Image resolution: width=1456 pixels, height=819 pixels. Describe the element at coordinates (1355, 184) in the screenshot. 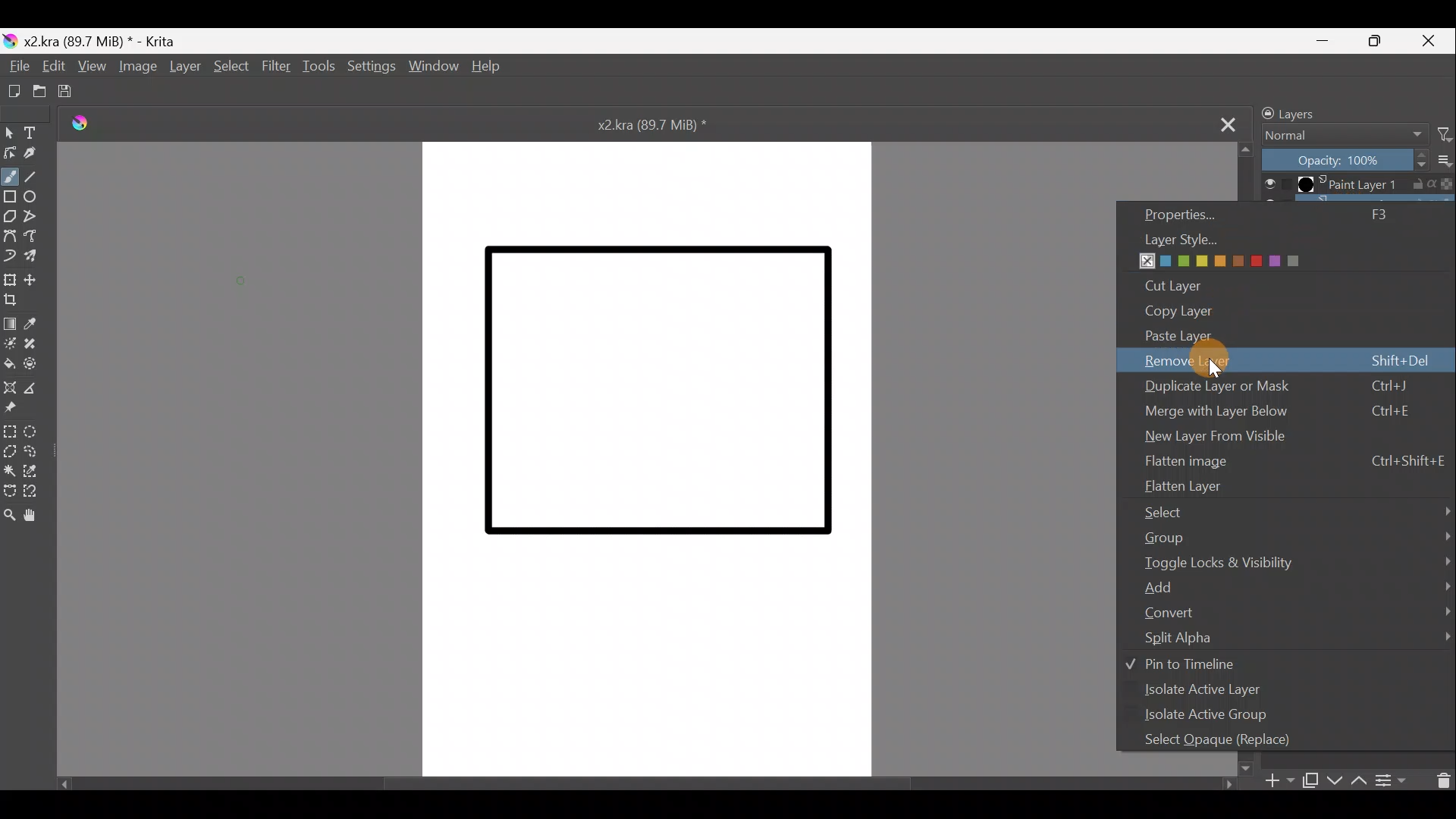

I see `Paint Layer 1` at that location.